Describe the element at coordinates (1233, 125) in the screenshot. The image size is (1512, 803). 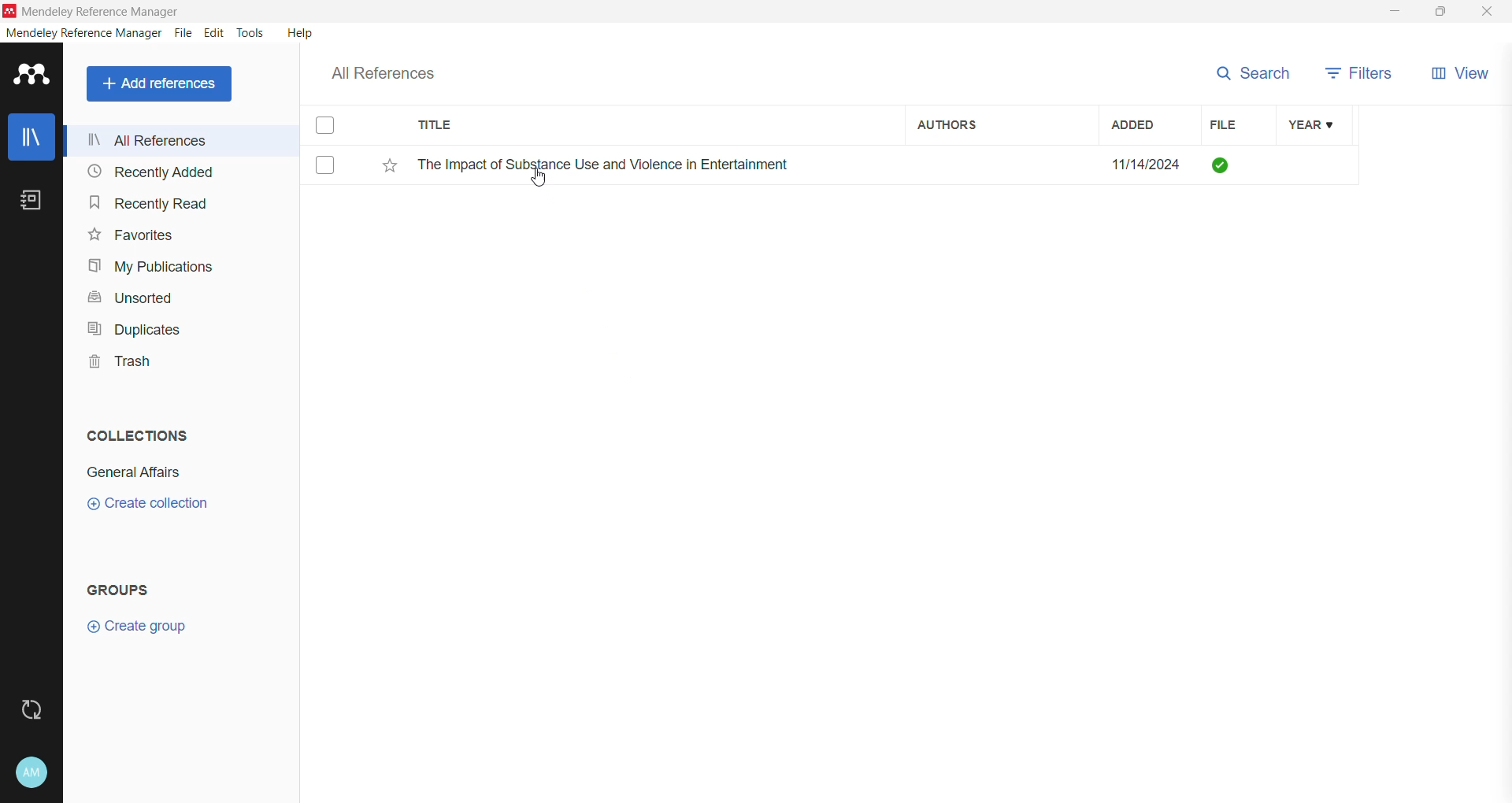
I see `File` at that location.